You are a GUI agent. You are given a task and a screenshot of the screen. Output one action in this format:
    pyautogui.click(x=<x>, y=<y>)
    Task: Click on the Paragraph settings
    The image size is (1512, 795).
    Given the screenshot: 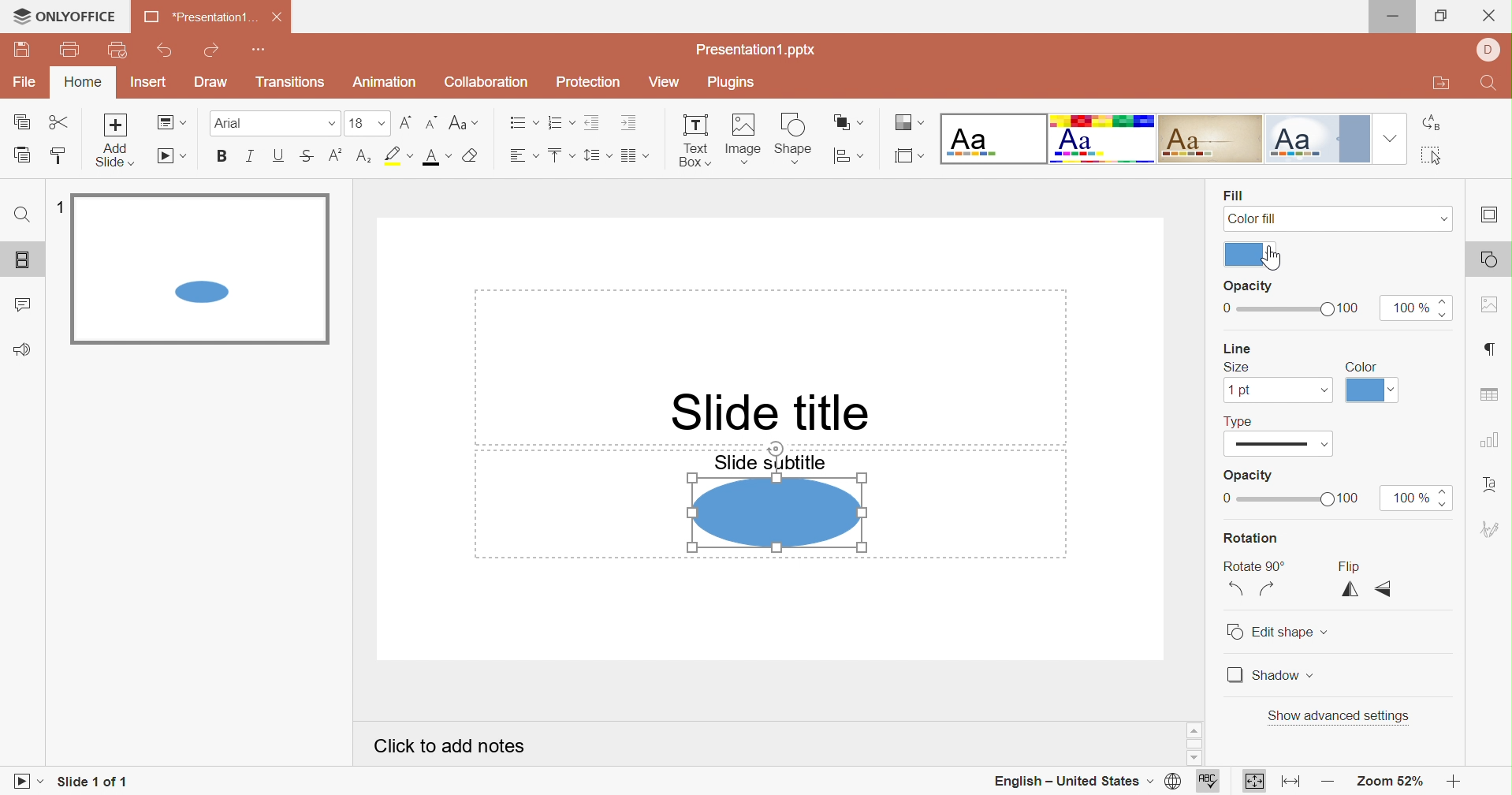 What is the action you would take?
    pyautogui.click(x=1489, y=349)
    